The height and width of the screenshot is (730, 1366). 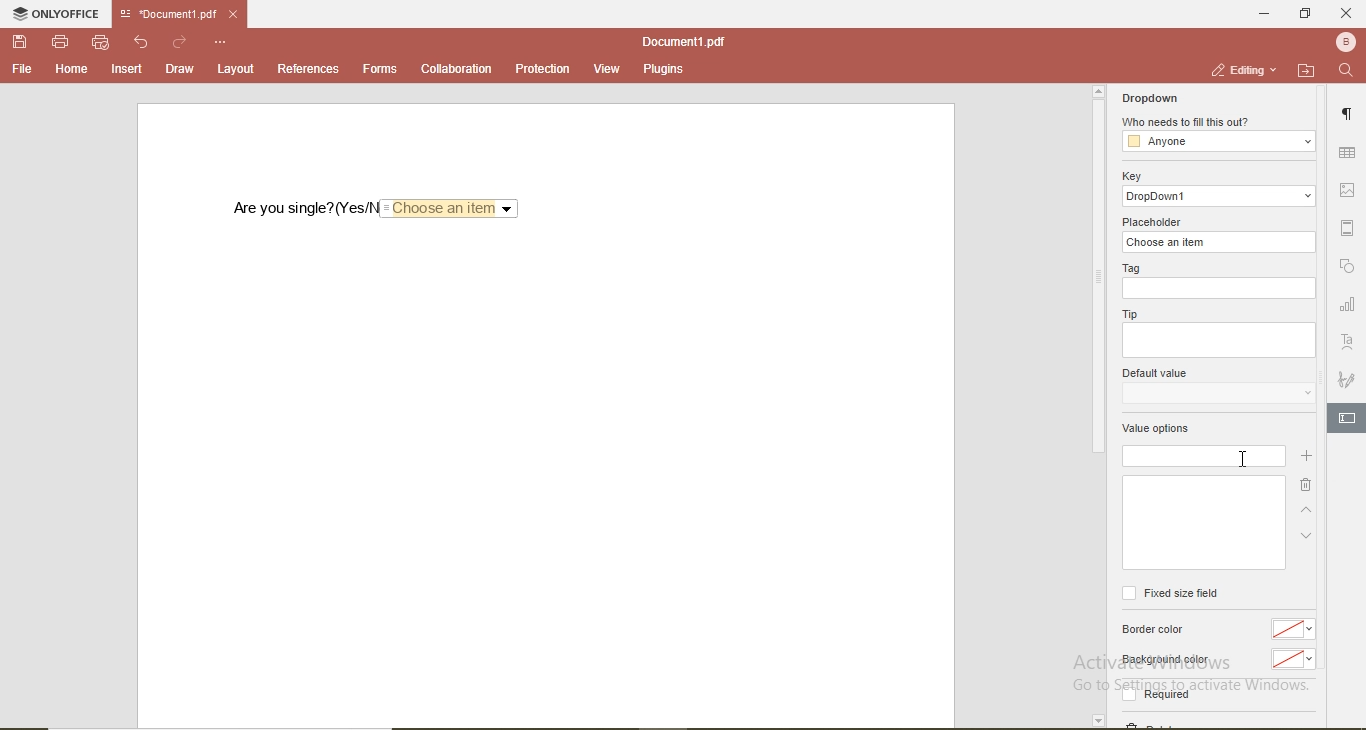 I want to click on file, so click(x=23, y=70).